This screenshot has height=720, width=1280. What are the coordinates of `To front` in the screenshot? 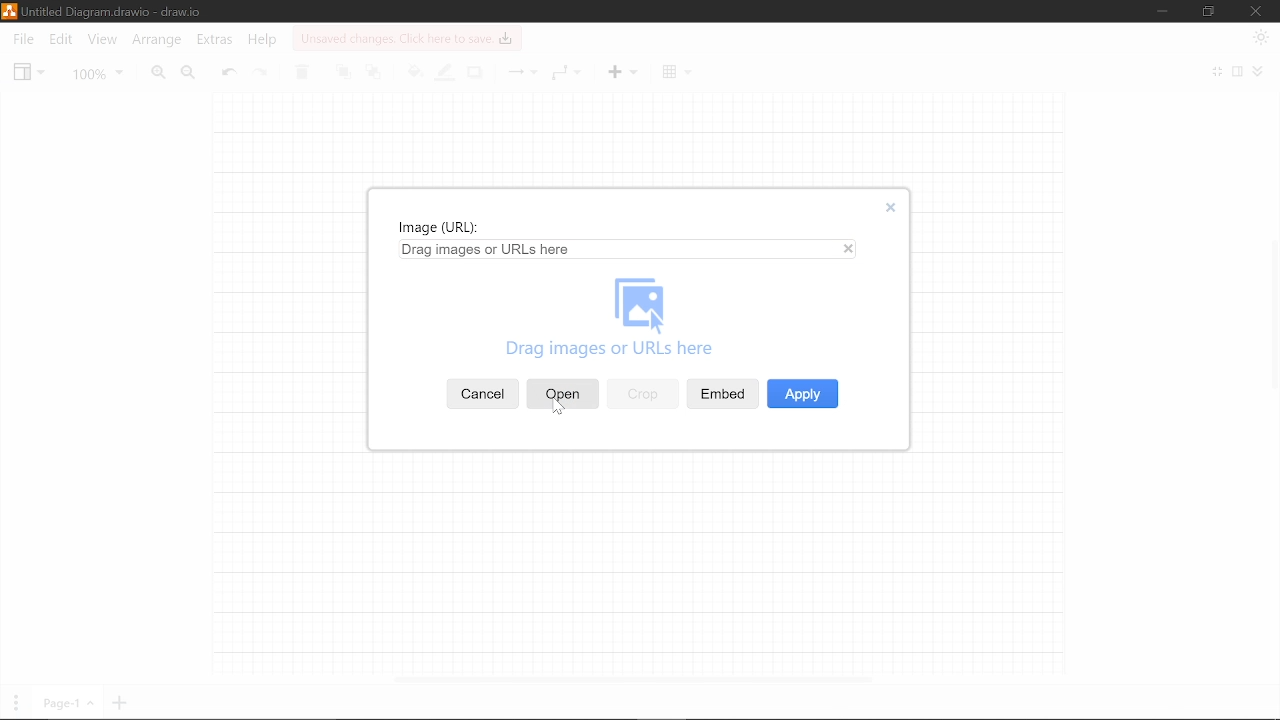 It's located at (344, 72).